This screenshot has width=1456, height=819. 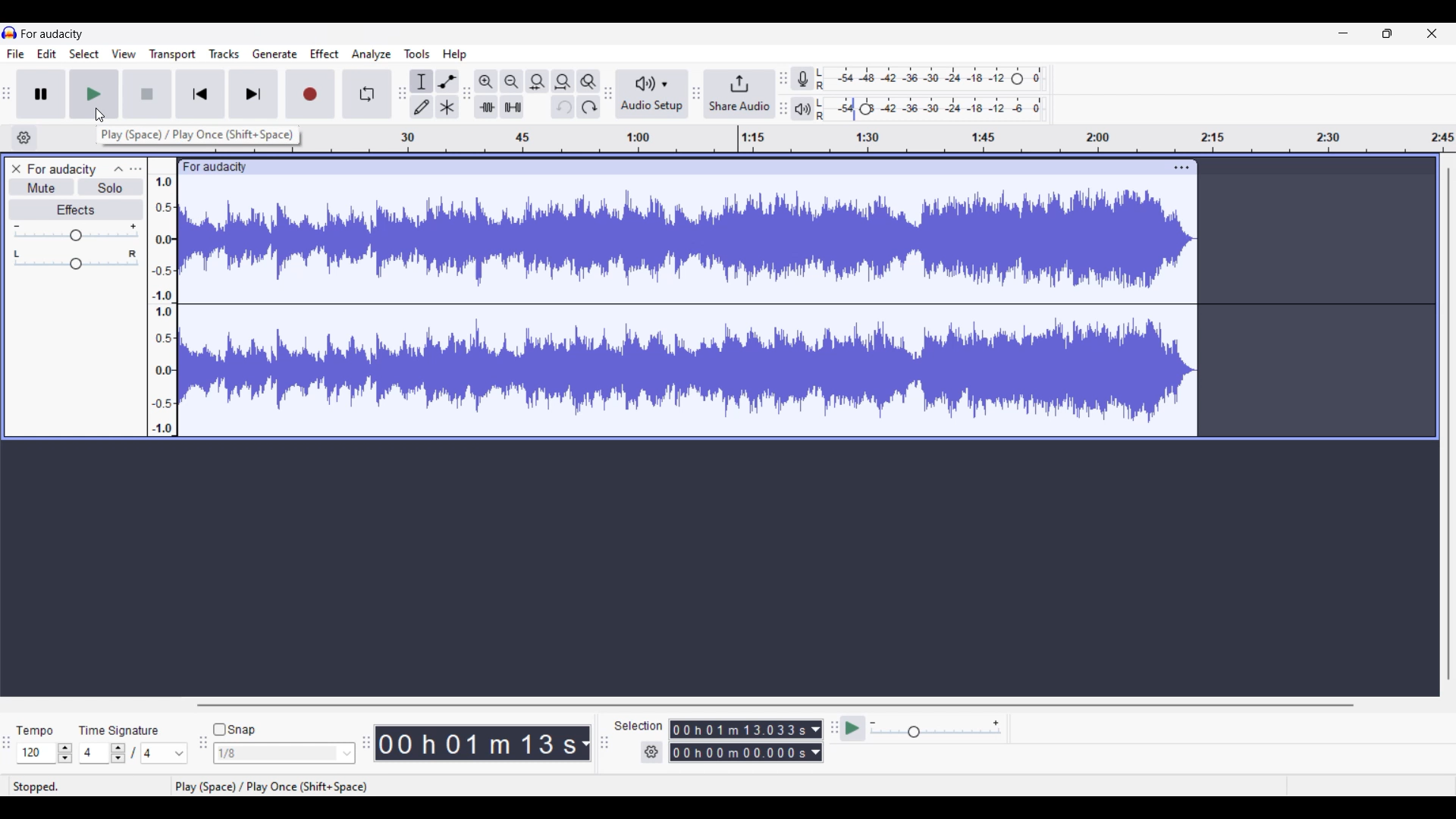 What do you see at coordinates (224, 53) in the screenshot?
I see `Tracks menu` at bounding box center [224, 53].